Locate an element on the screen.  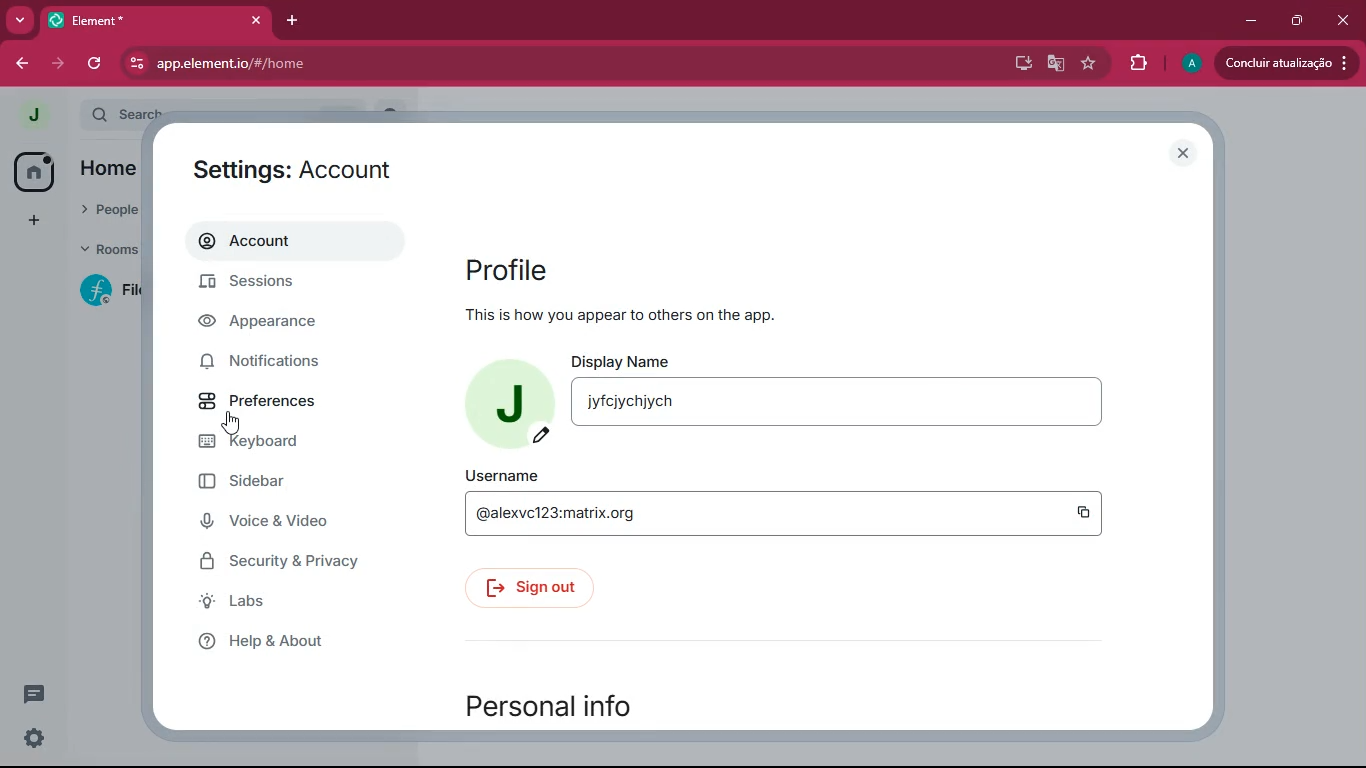
favourite is located at coordinates (1087, 63).